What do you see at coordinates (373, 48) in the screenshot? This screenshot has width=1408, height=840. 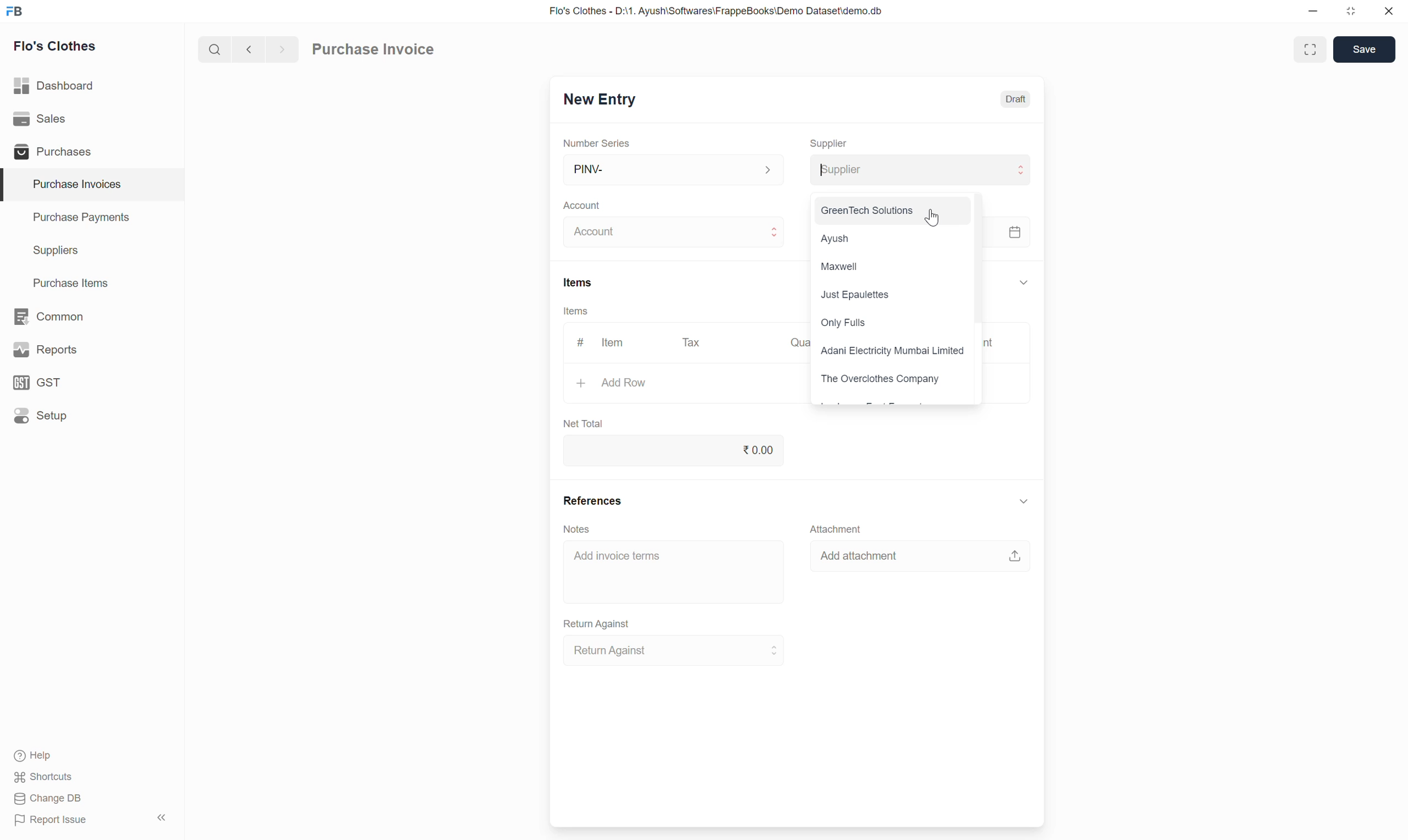 I see `Purchase Invoice` at bounding box center [373, 48].